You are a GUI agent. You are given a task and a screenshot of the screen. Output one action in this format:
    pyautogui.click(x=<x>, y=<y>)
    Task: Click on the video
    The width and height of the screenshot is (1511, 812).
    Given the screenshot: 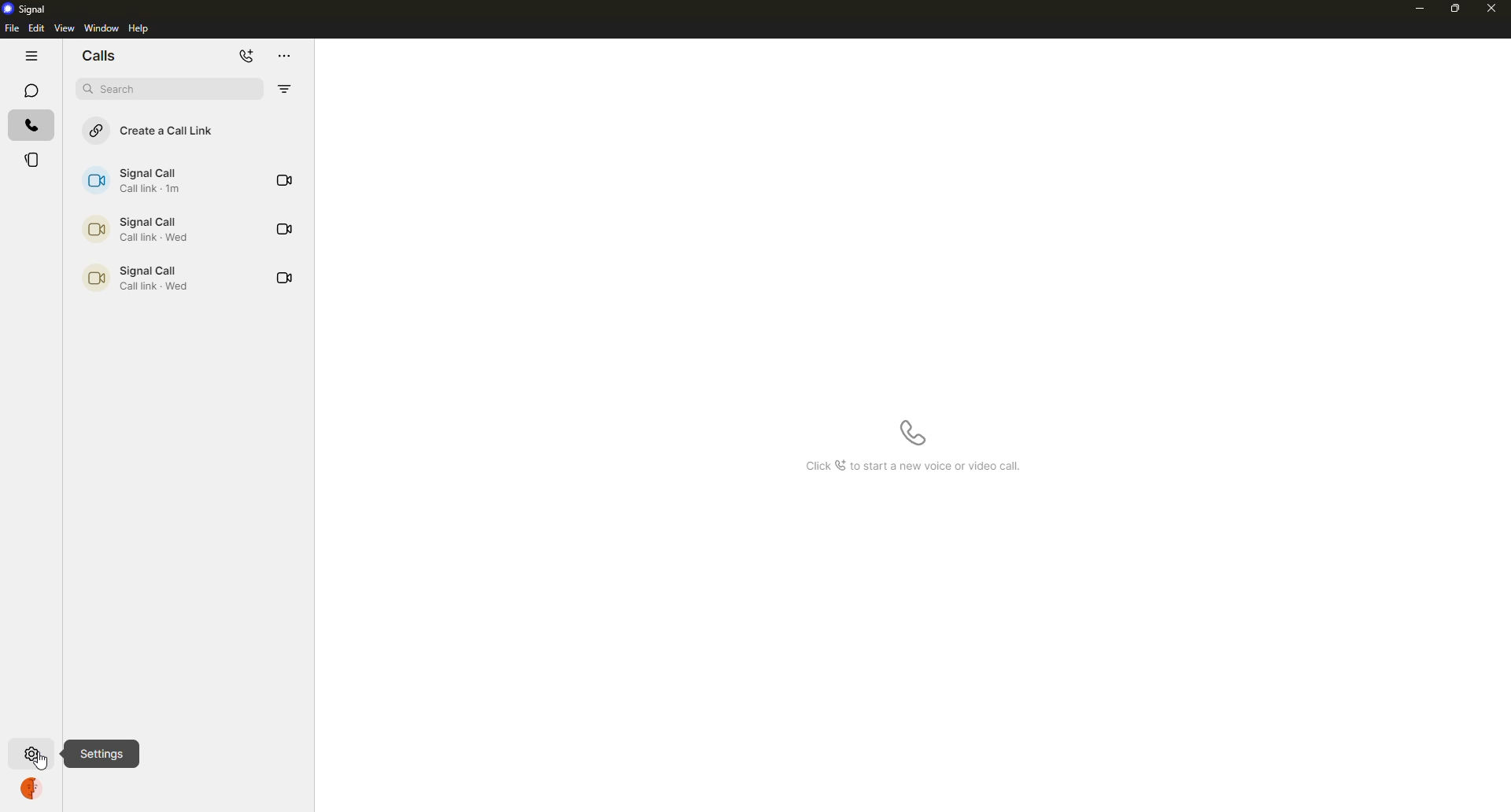 What is the action you would take?
    pyautogui.click(x=283, y=180)
    